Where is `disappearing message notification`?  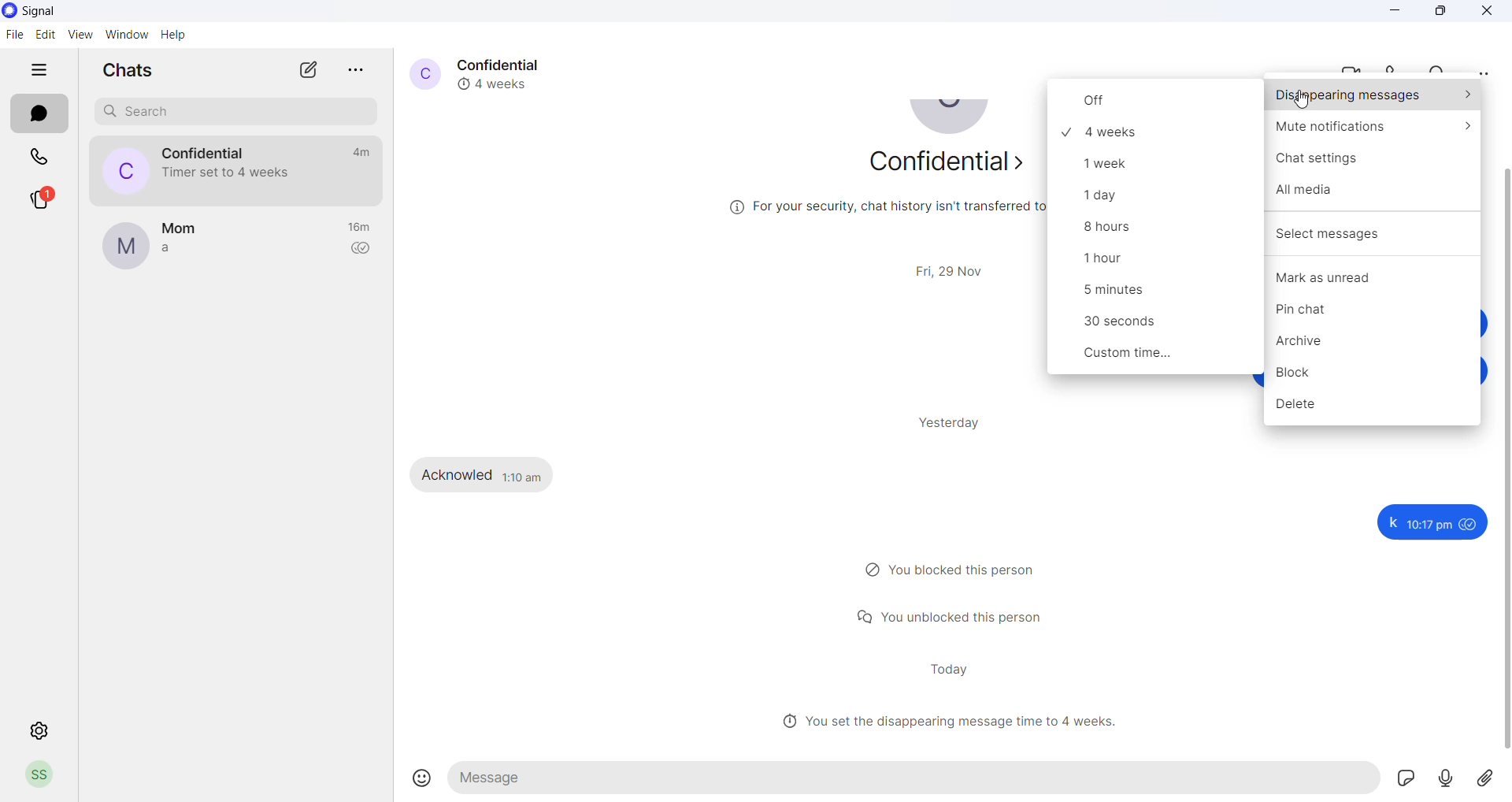 disappearing message notification is located at coordinates (230, 172).